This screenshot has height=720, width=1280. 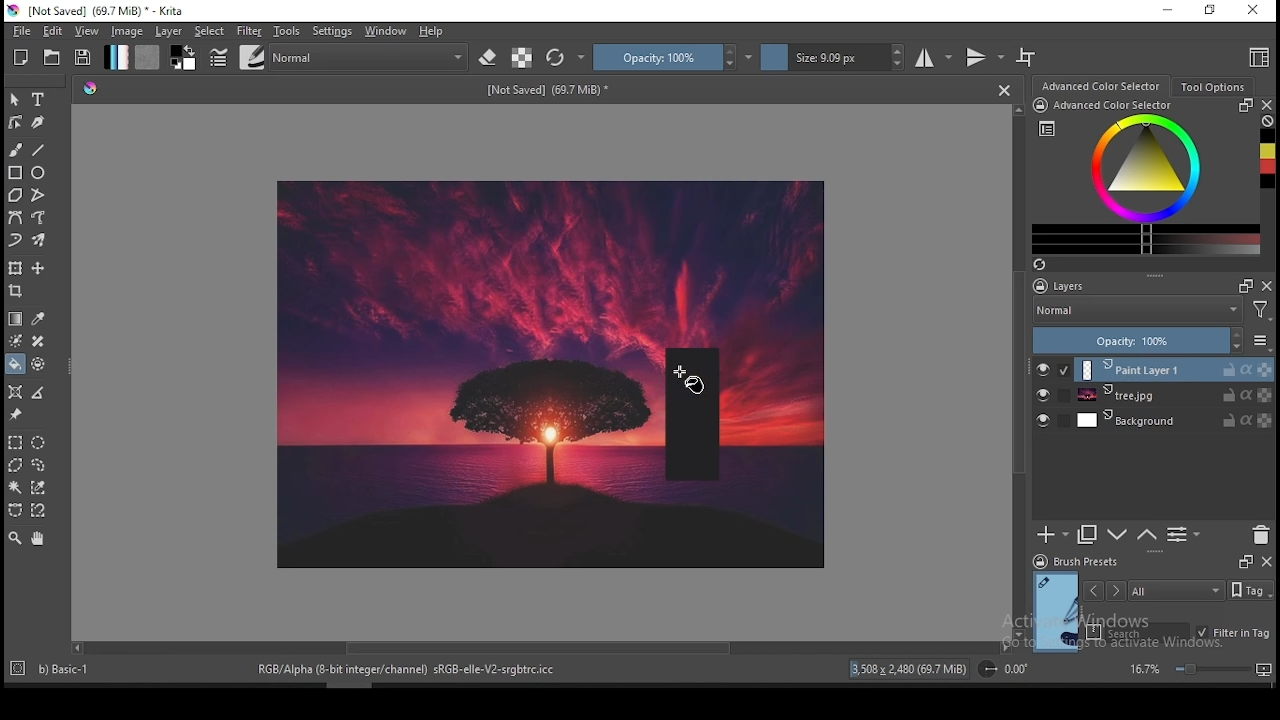 What do you see at coordinates (1088, 536) in the screenshot?
I see `duplicate layer` at bounding box center [1088, 536].